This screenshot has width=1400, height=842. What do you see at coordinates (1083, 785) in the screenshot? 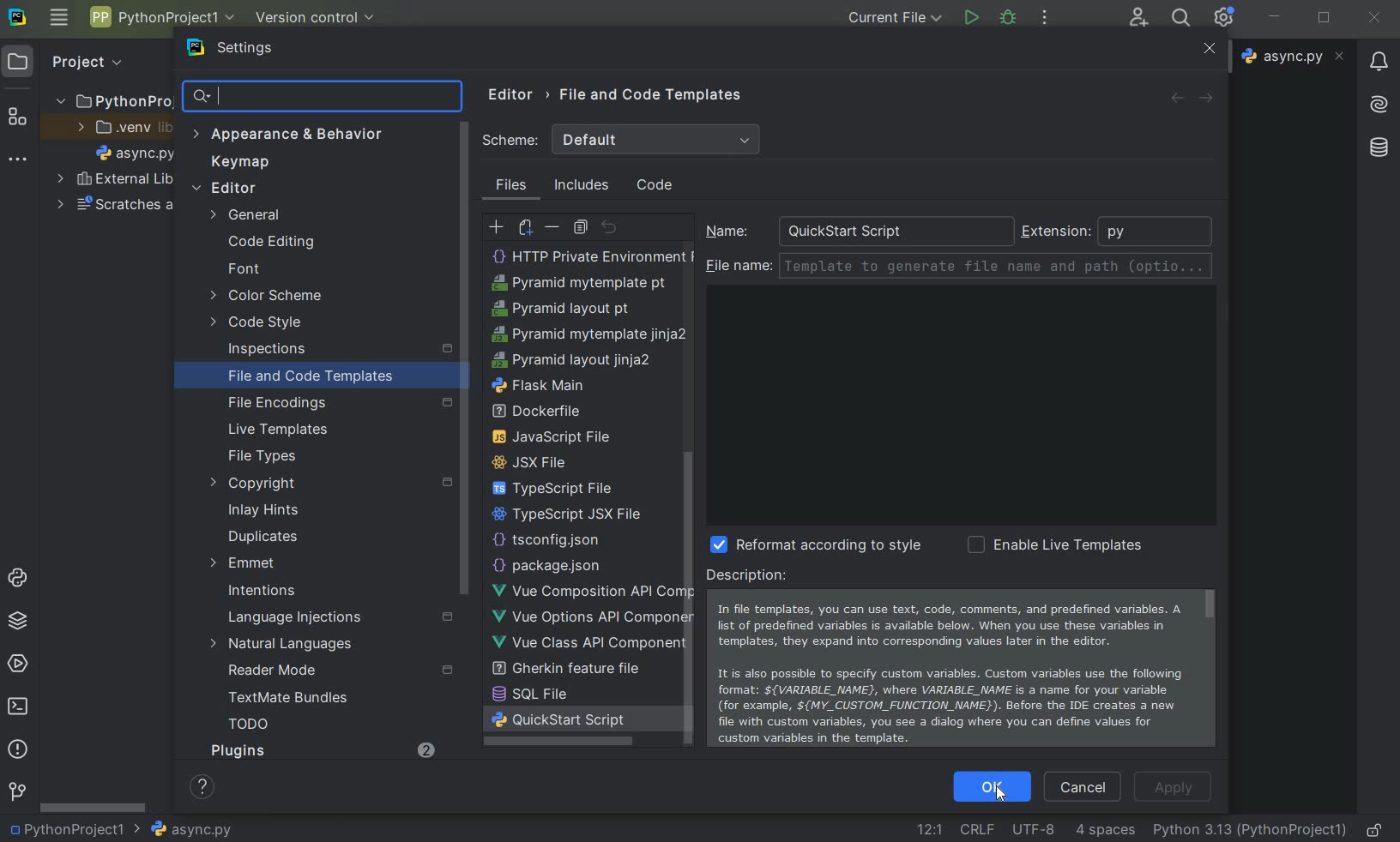
I see `cancel` at bounding box center [1083, 785].